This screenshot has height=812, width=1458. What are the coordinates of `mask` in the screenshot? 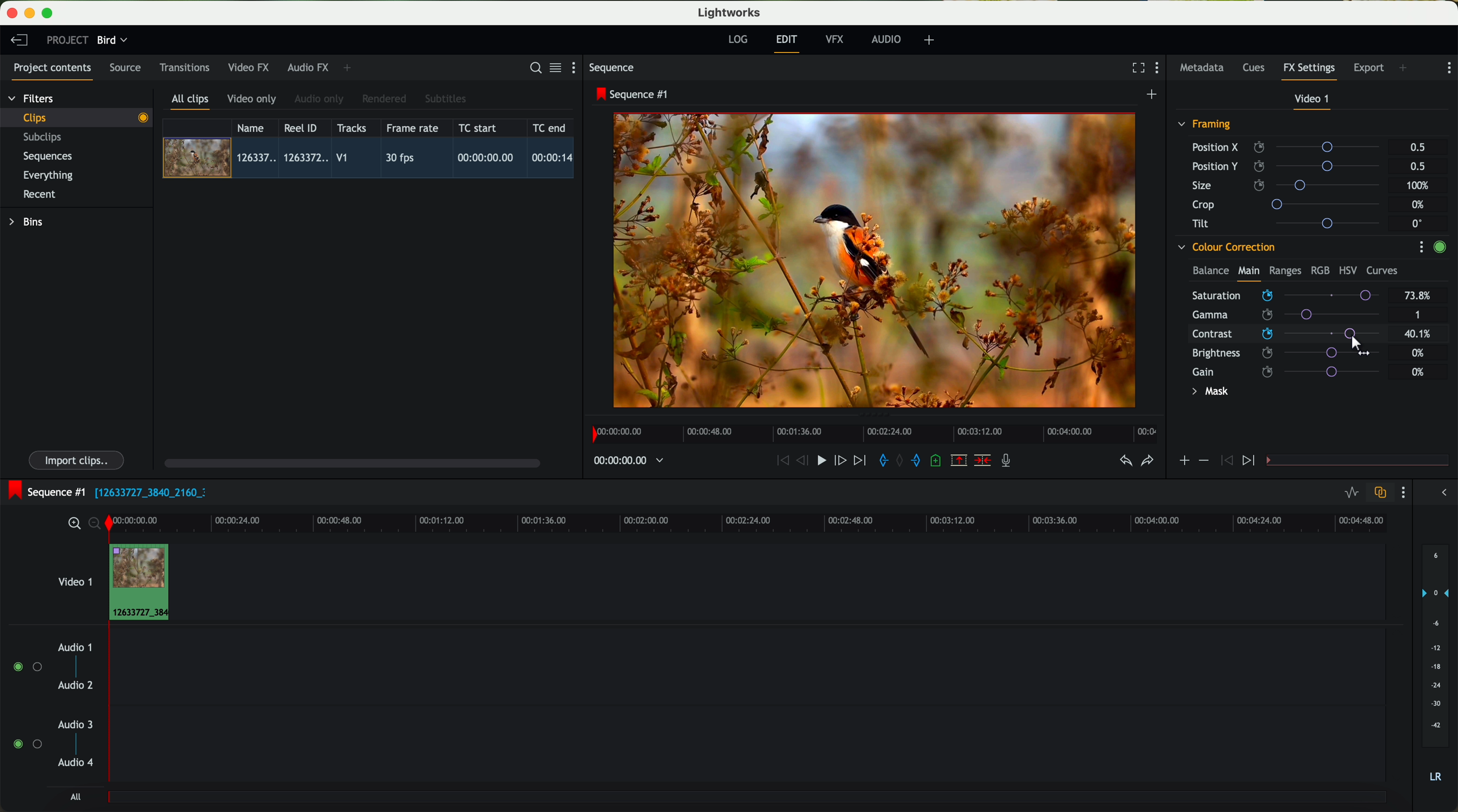 It's located at (1208, 393).